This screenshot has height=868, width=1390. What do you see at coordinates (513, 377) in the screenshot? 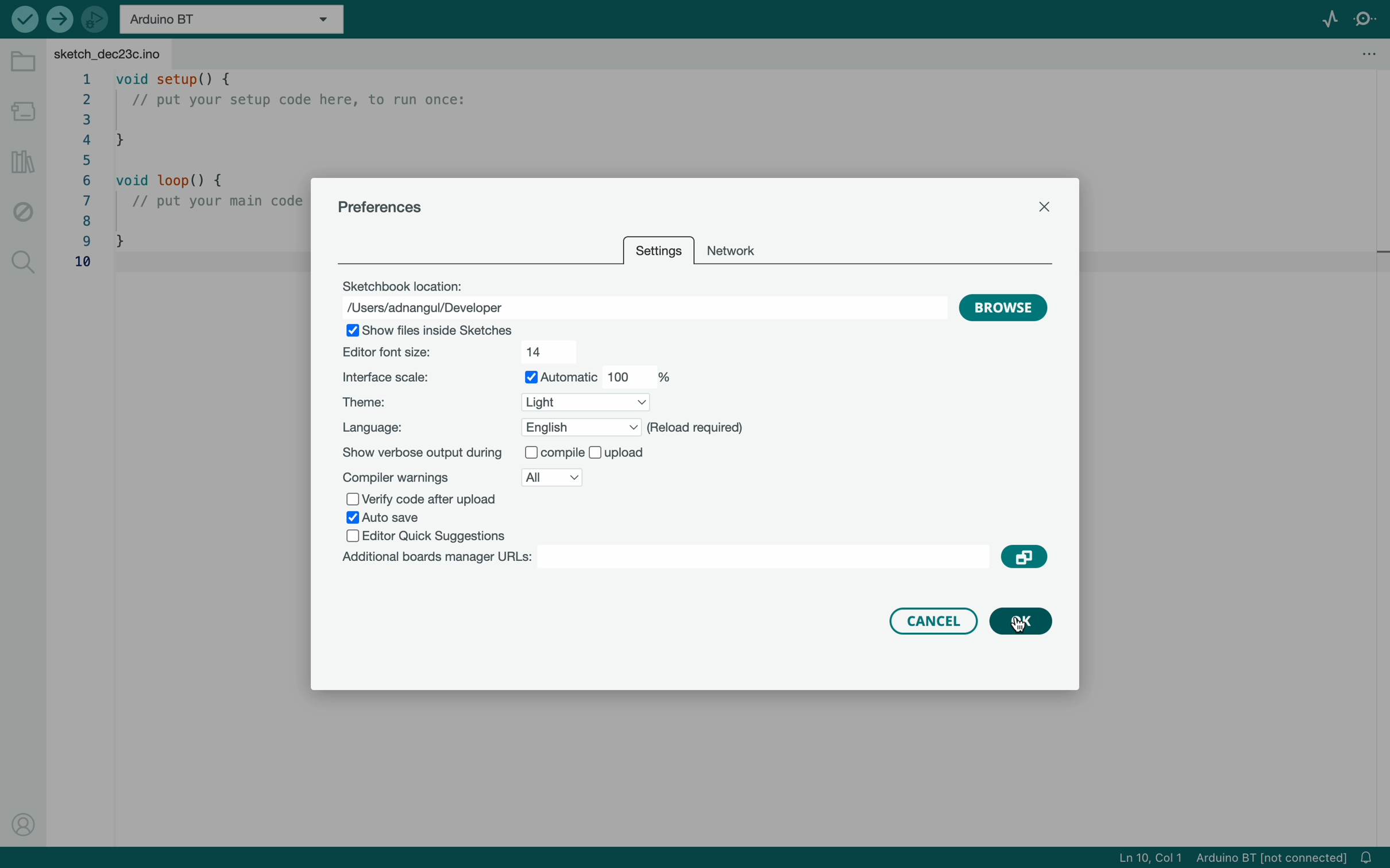
I see `scale` at bounding box center [513, 377].